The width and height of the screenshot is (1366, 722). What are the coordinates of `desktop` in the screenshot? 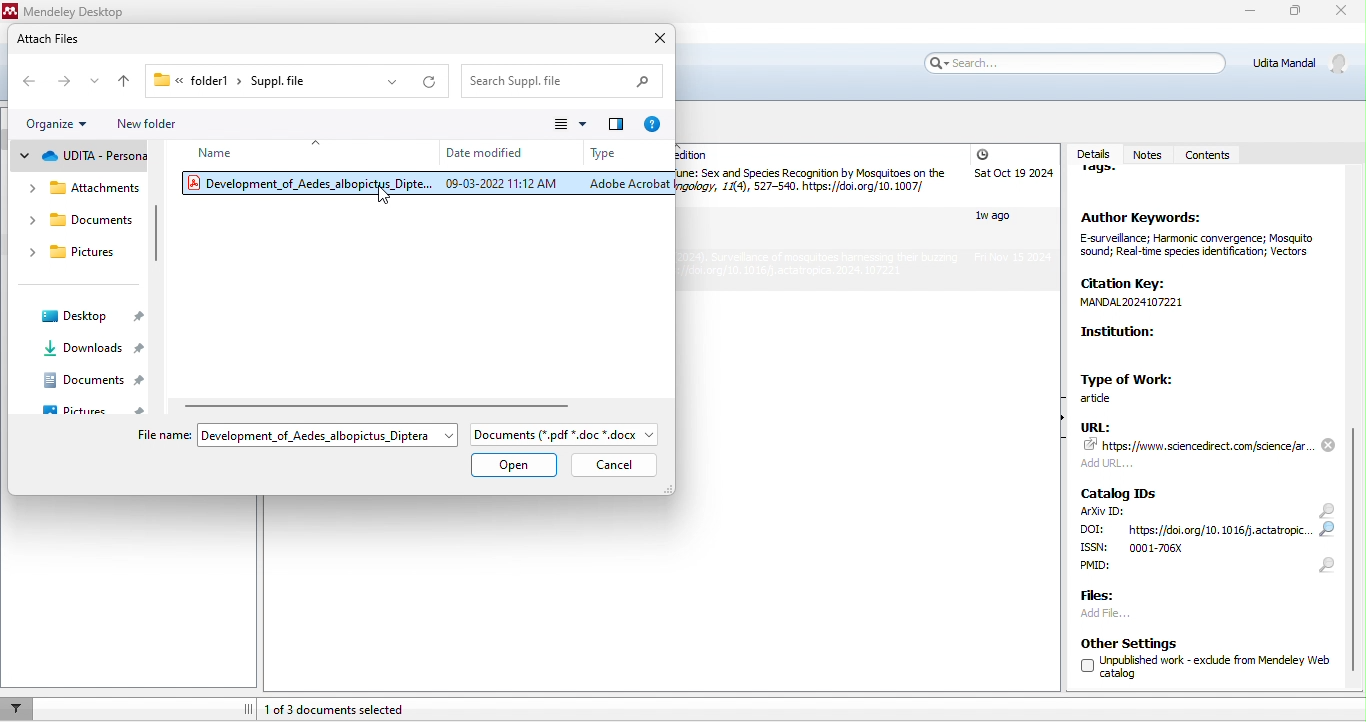 It's located at (91, 318).